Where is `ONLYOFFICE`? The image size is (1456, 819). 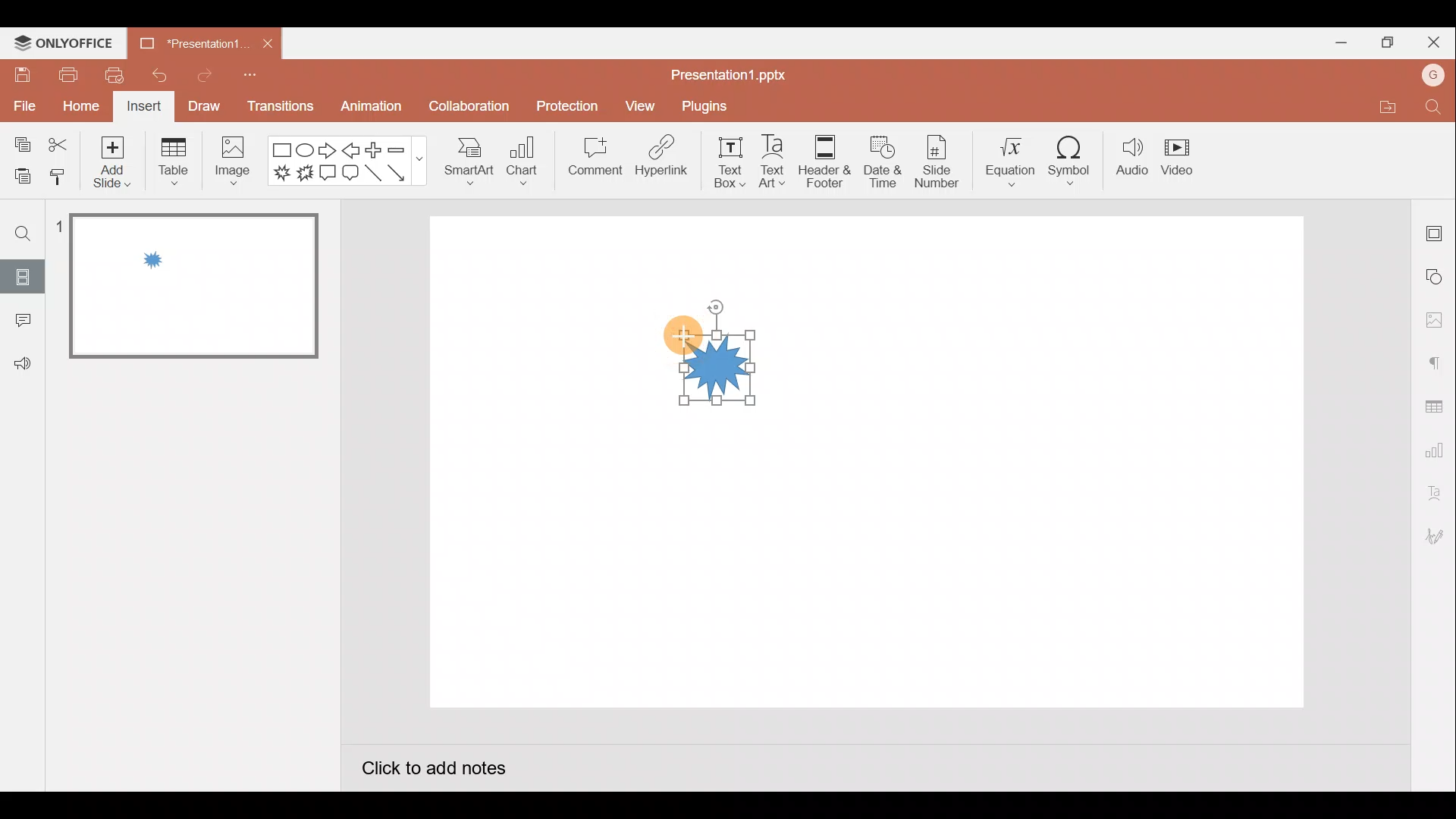
ONLYOFFICE is located at coordinates (64, 42).